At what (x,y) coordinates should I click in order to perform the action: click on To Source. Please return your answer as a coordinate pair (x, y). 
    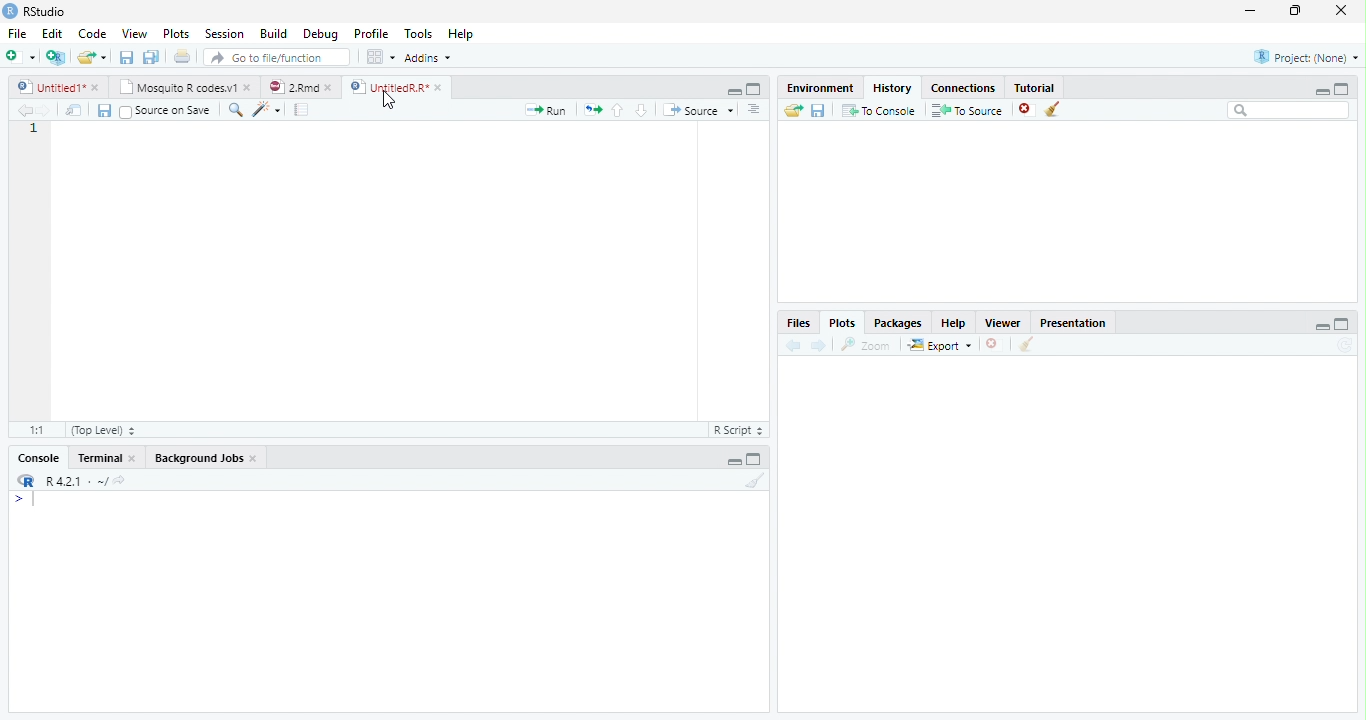
    Looking at the image, I should click on (966, 111).